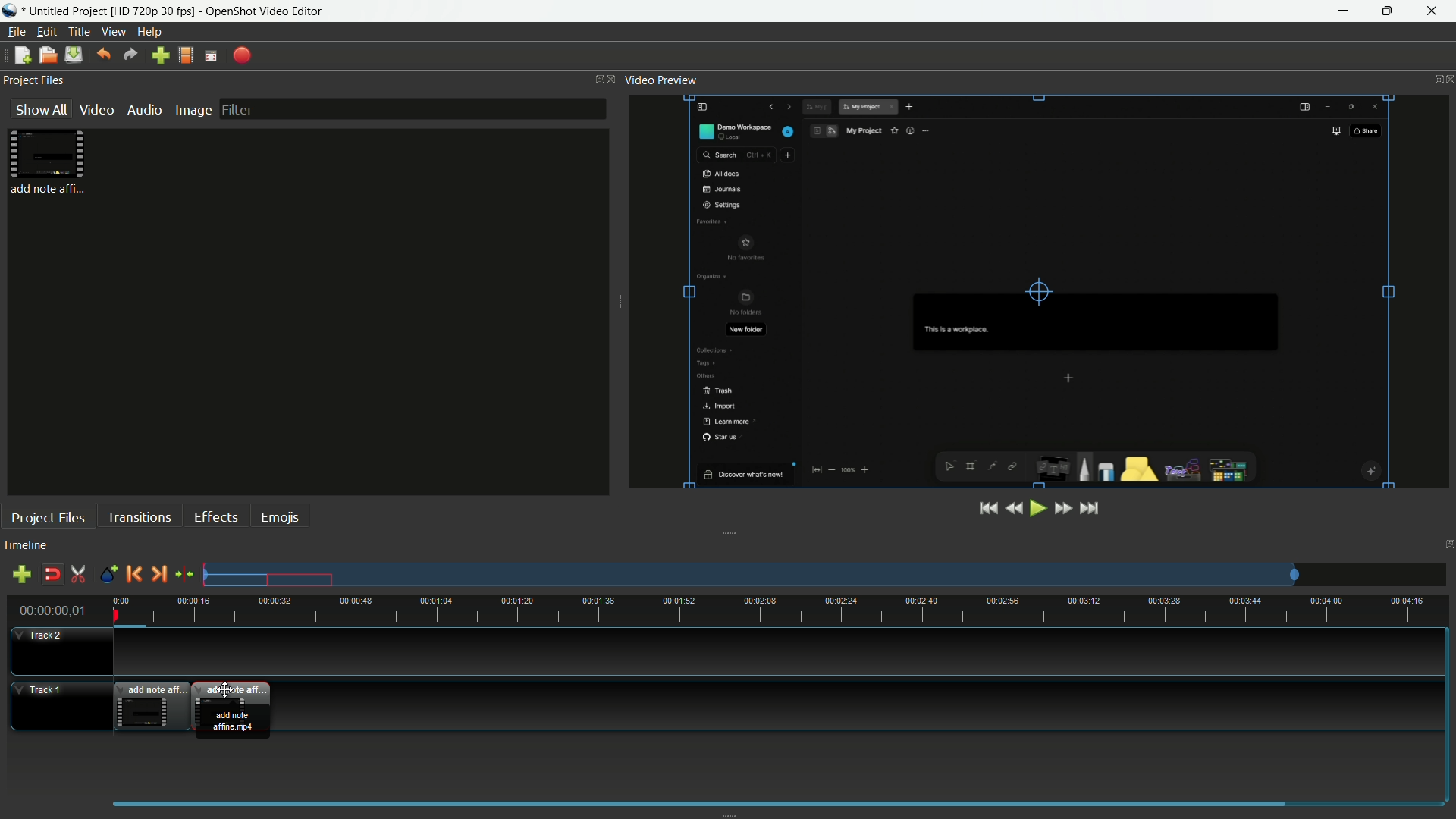 Image resolution: width=1456 pixels, height=819 pixels. I want to click on previous marker, so click(133, 573).